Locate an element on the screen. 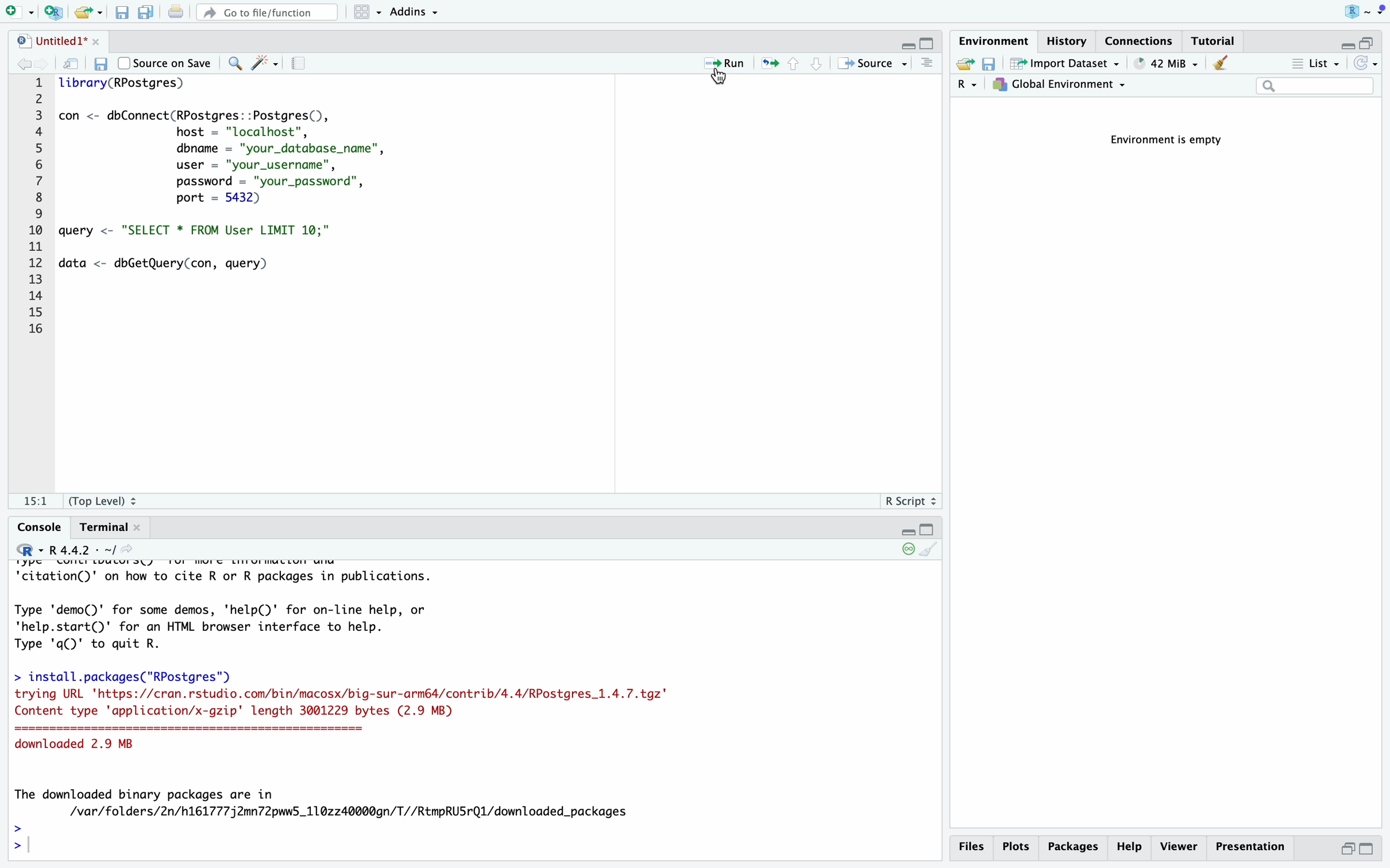 This screenshot has width=1390, height=868. search field is located at coordinates (1315, 87).